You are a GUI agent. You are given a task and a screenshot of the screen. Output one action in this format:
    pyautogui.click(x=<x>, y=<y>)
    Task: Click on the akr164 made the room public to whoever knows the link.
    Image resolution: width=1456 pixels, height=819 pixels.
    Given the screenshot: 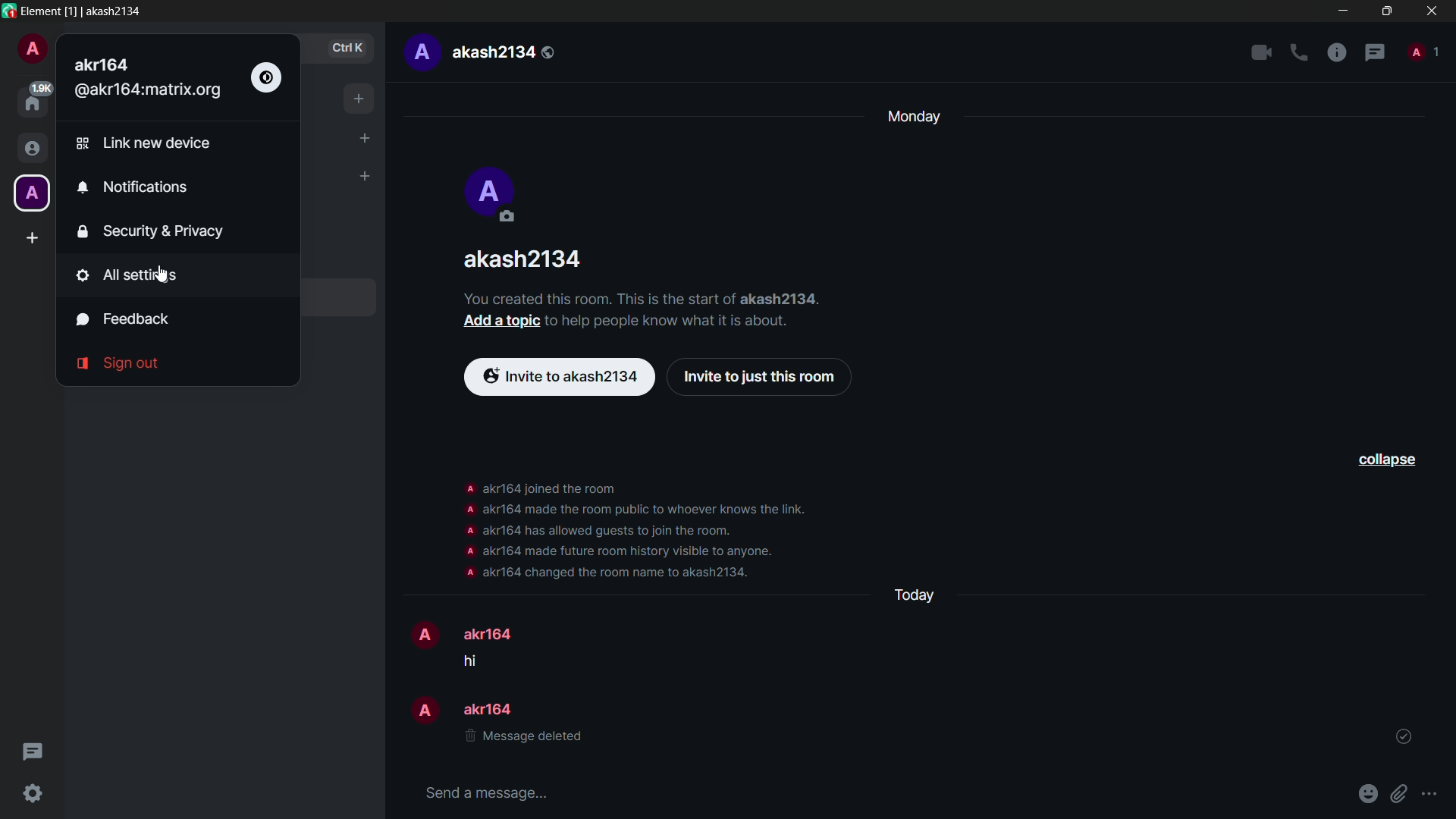 What is the action you would take?
    pyautogui.click(x=648, y=508)
    